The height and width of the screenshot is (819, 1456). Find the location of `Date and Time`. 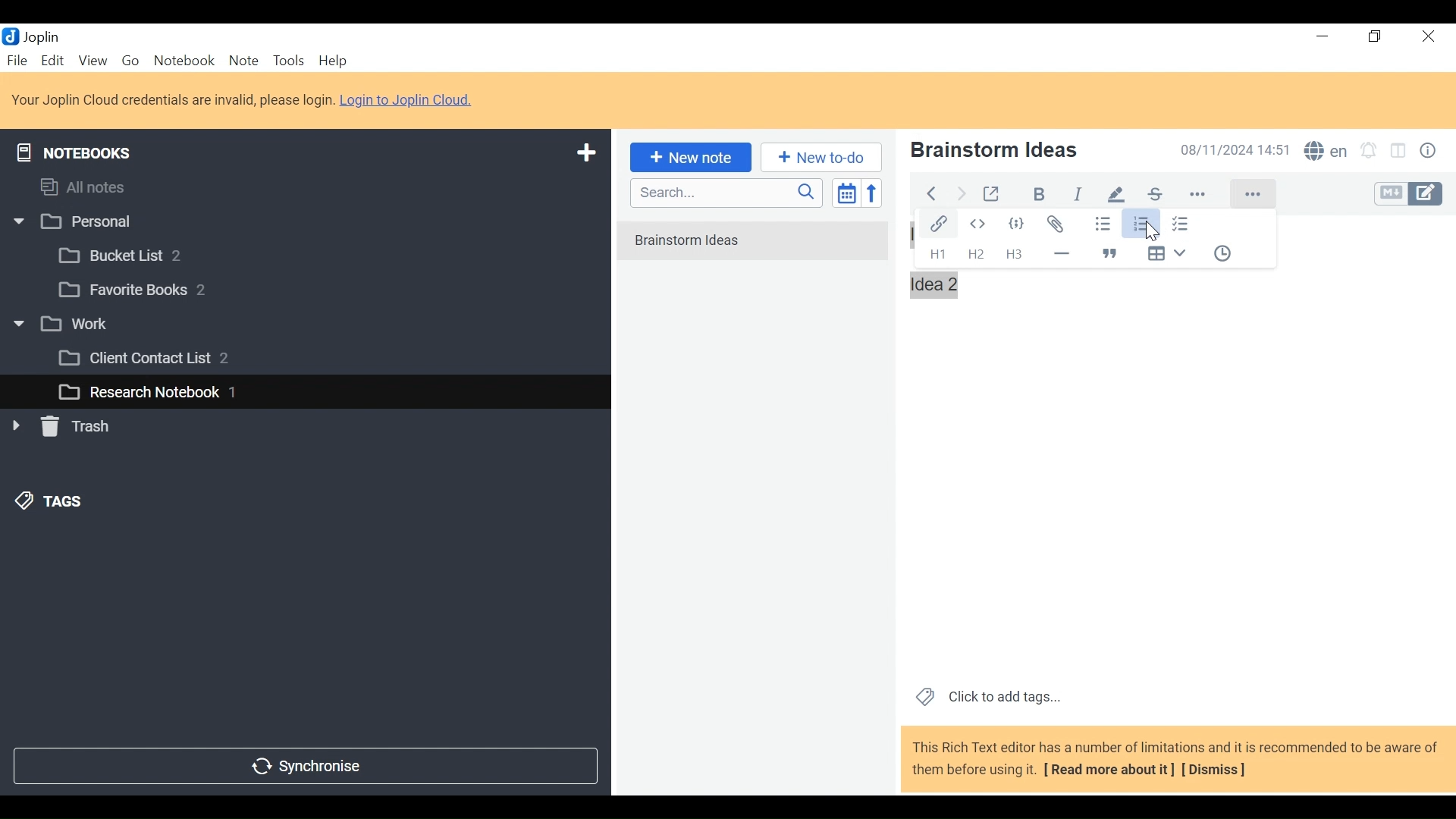

Date and Time is located at coordinates (1231, 149).